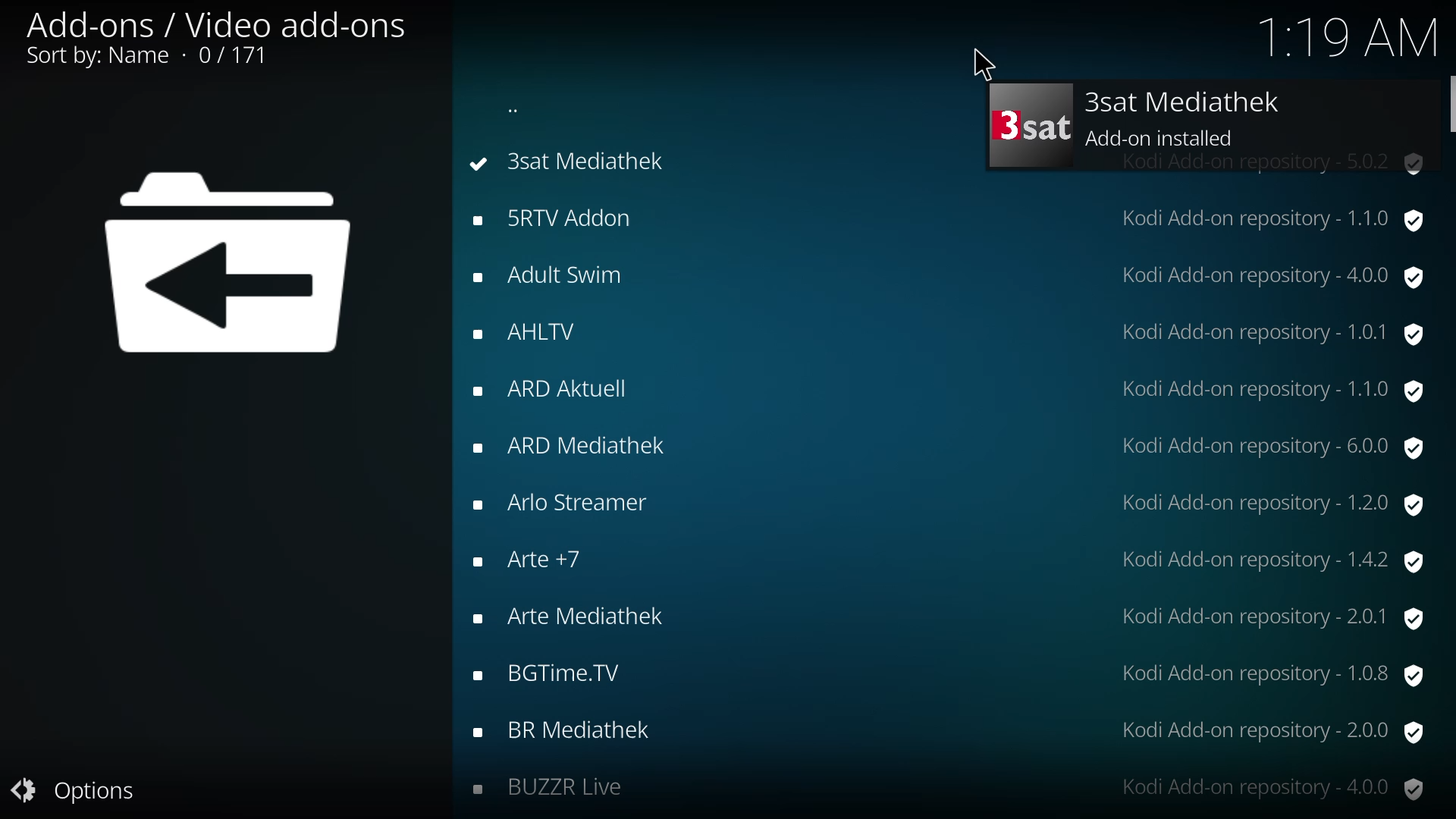 The height and width of the screenshot is (819, 1456). What do you see at coordinates (532, 329) in the screenshot?
I see `add-ons` at bounding box center [532, 329].